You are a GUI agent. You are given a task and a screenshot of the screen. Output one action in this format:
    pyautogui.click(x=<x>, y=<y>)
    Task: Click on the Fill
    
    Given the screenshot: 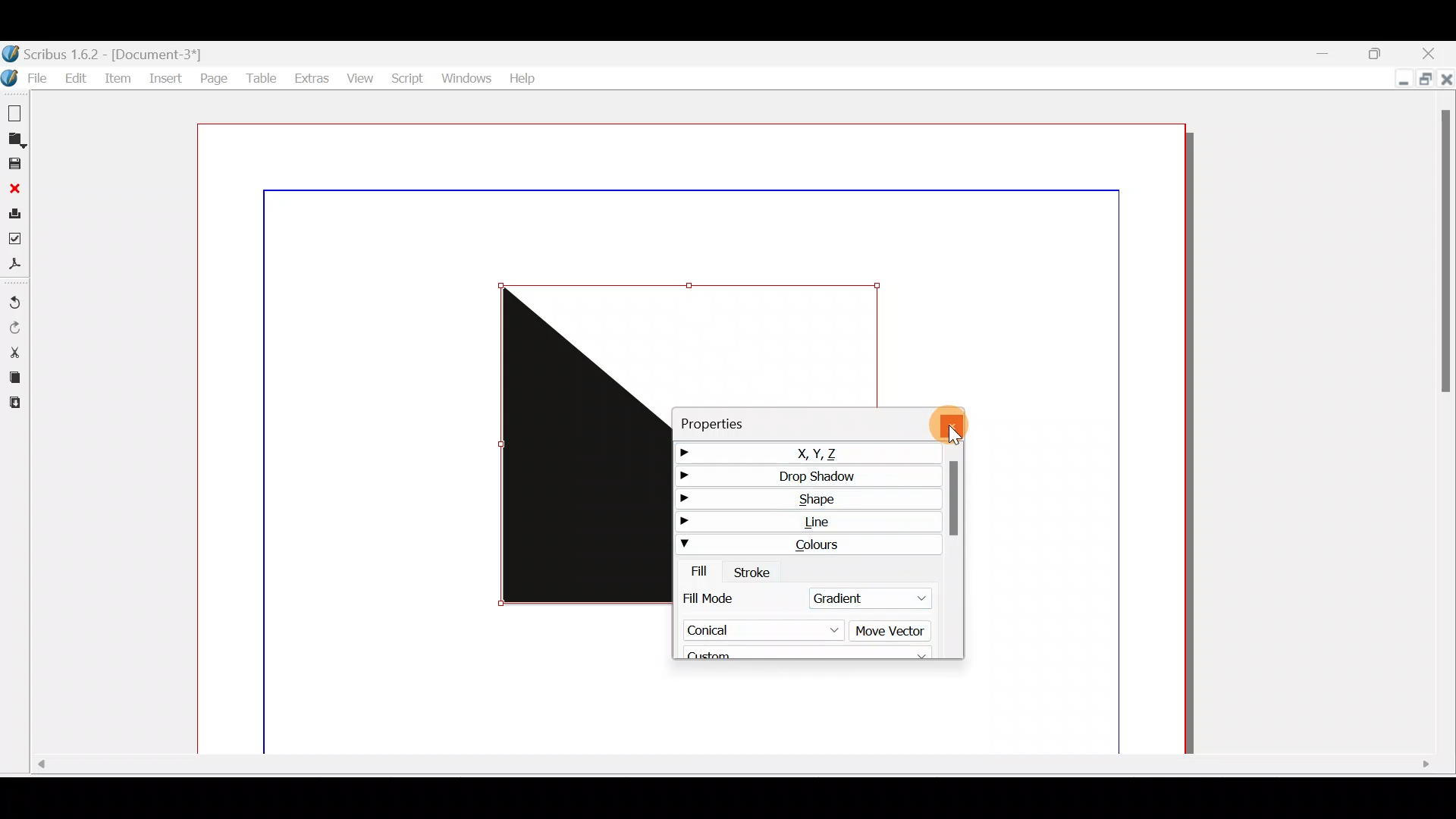 What is the action you would take?
    pyautogui.click(x=694, y=571)
    